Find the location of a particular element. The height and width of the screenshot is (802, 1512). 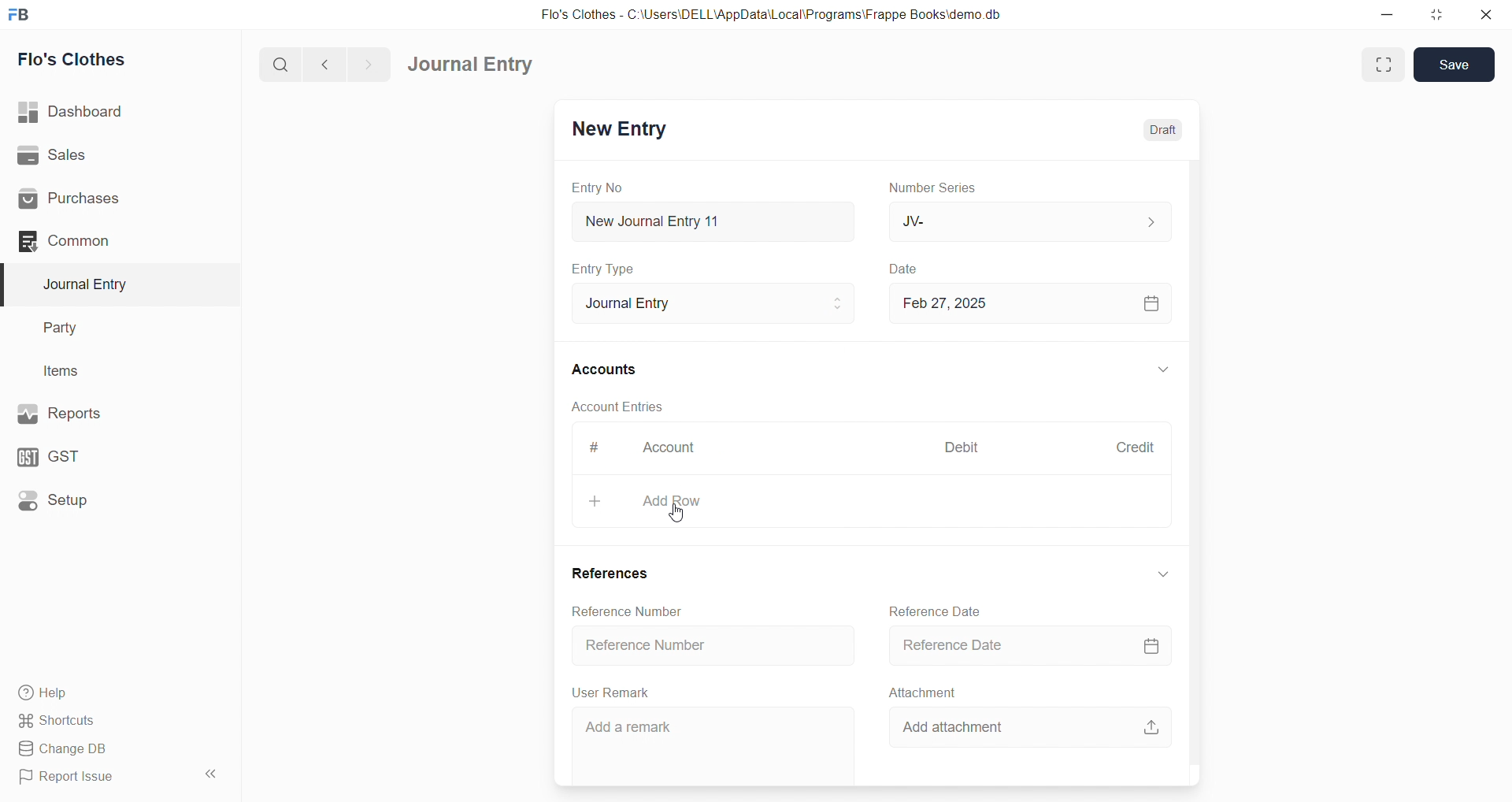

Credit is located at coordinates (1137, 448).